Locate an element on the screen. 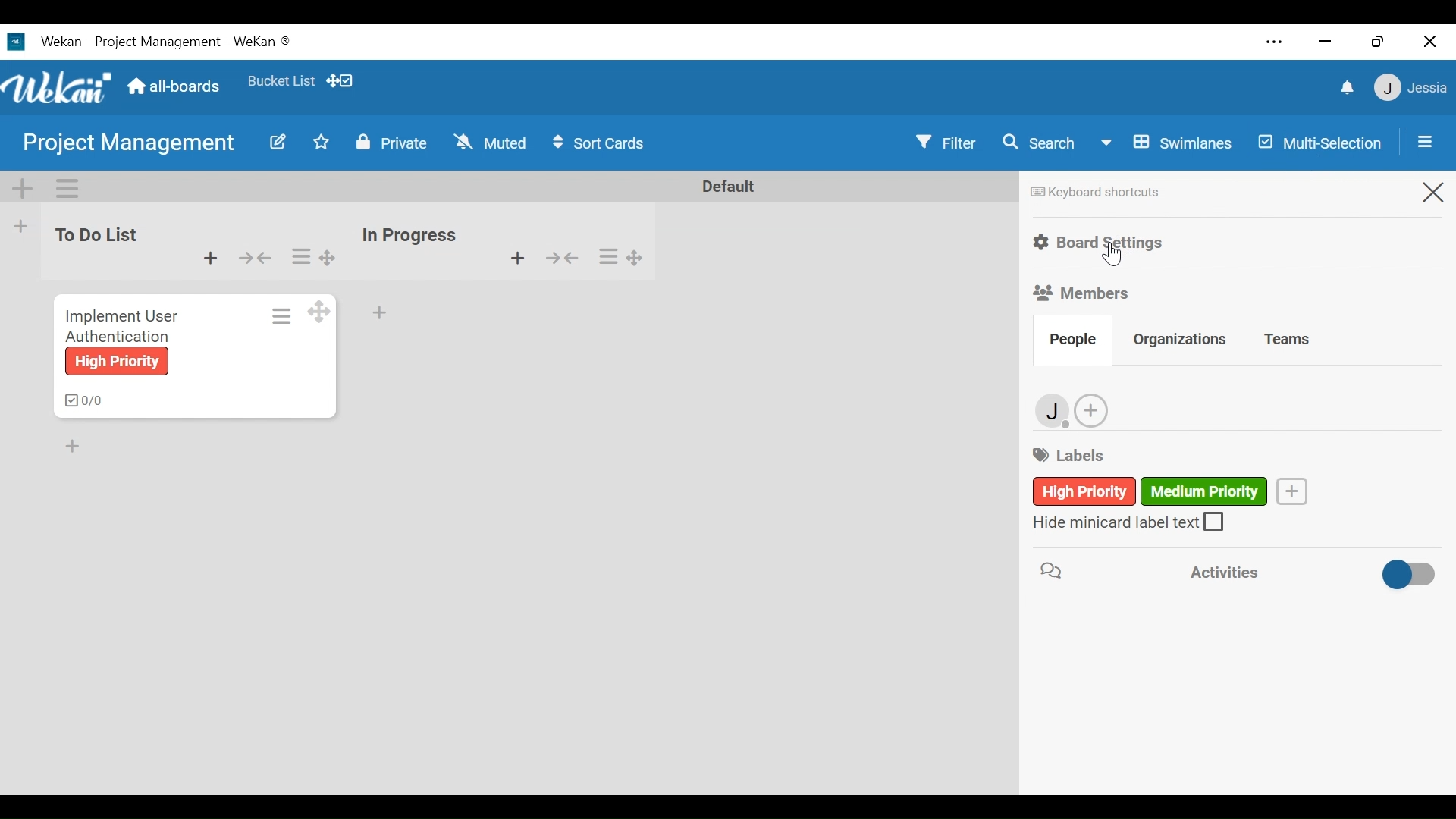 The height and width of the screenshot is (819, 1456). Cursor is located at coordinates (1109, 256).